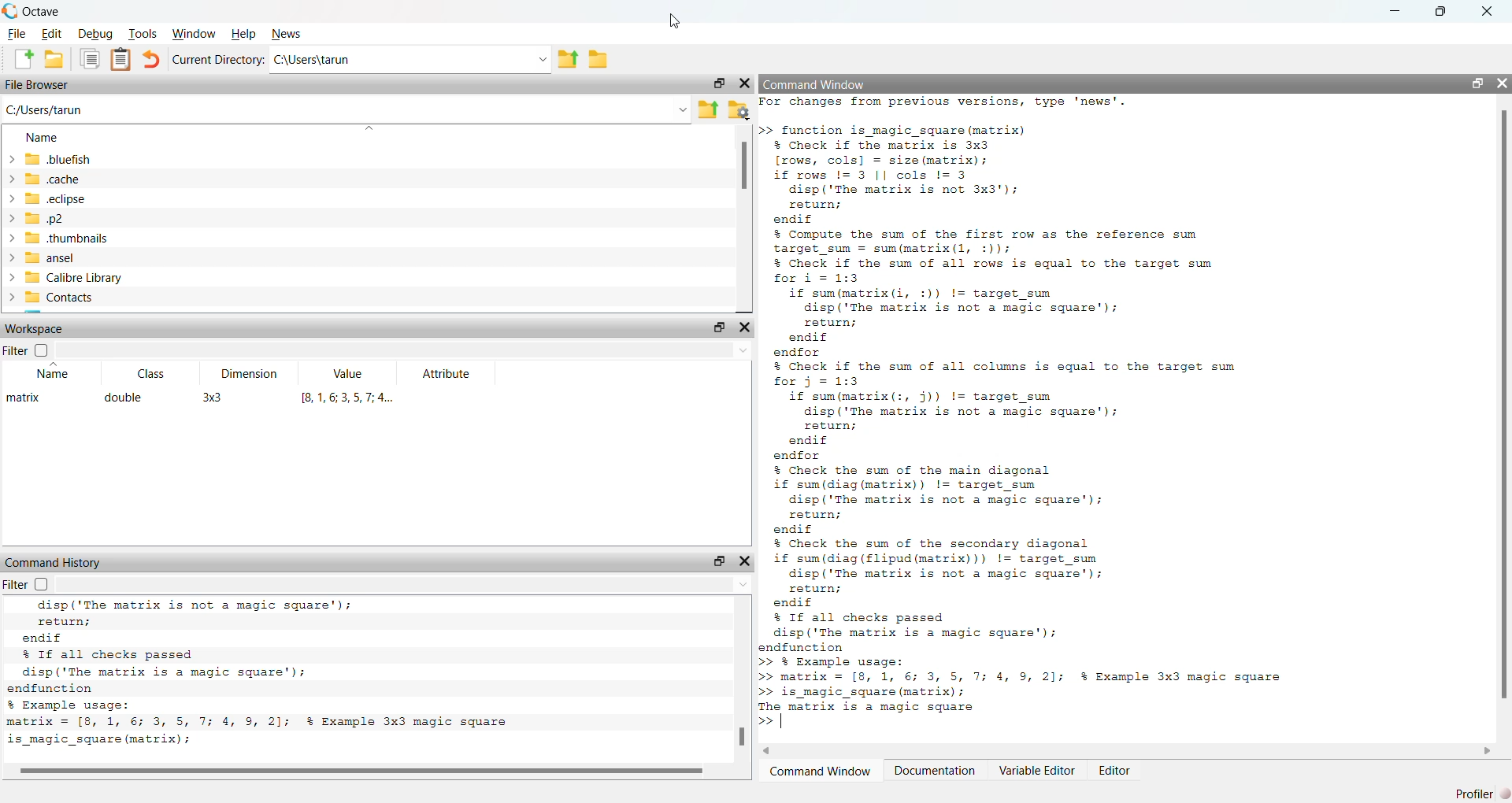 This screenshot has width=1512, height=803. I want to click on Help, so click(244, 34).